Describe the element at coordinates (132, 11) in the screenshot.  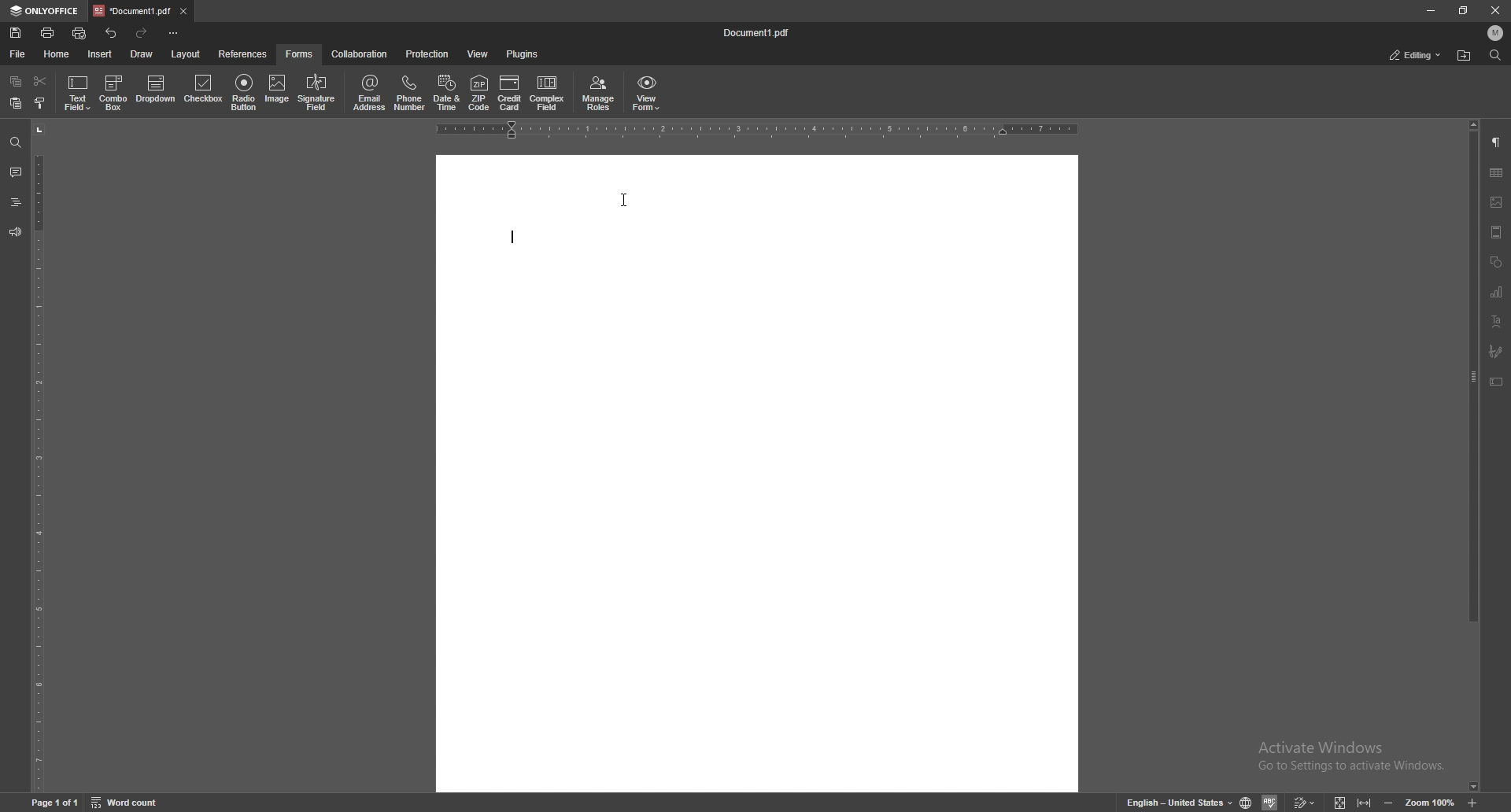
I see `tab` at that location.